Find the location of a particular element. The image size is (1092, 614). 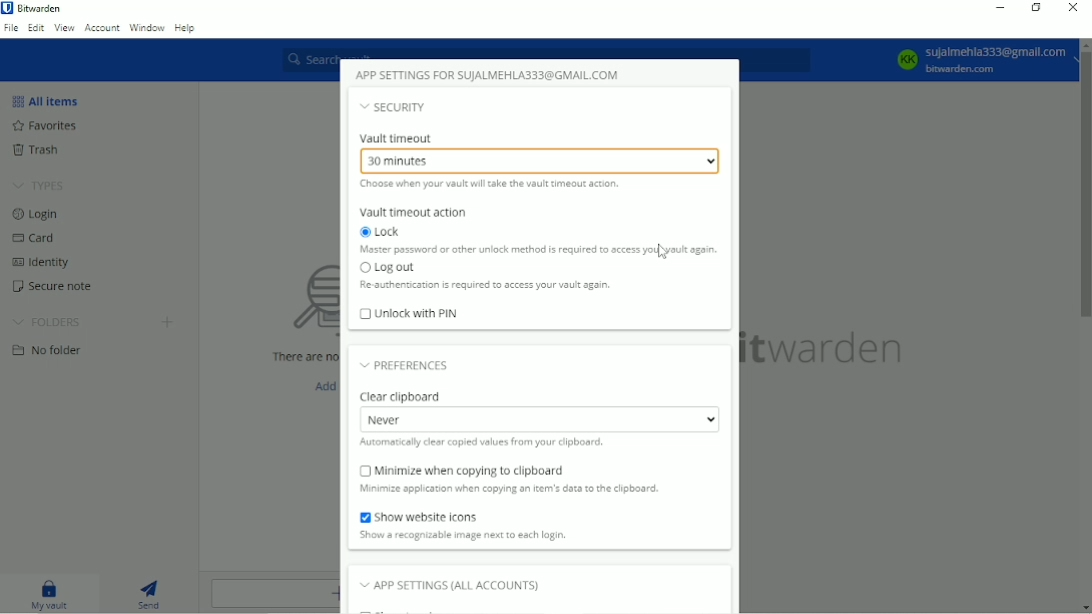

App settings (all accounts) is located at coordinates (451, 584).